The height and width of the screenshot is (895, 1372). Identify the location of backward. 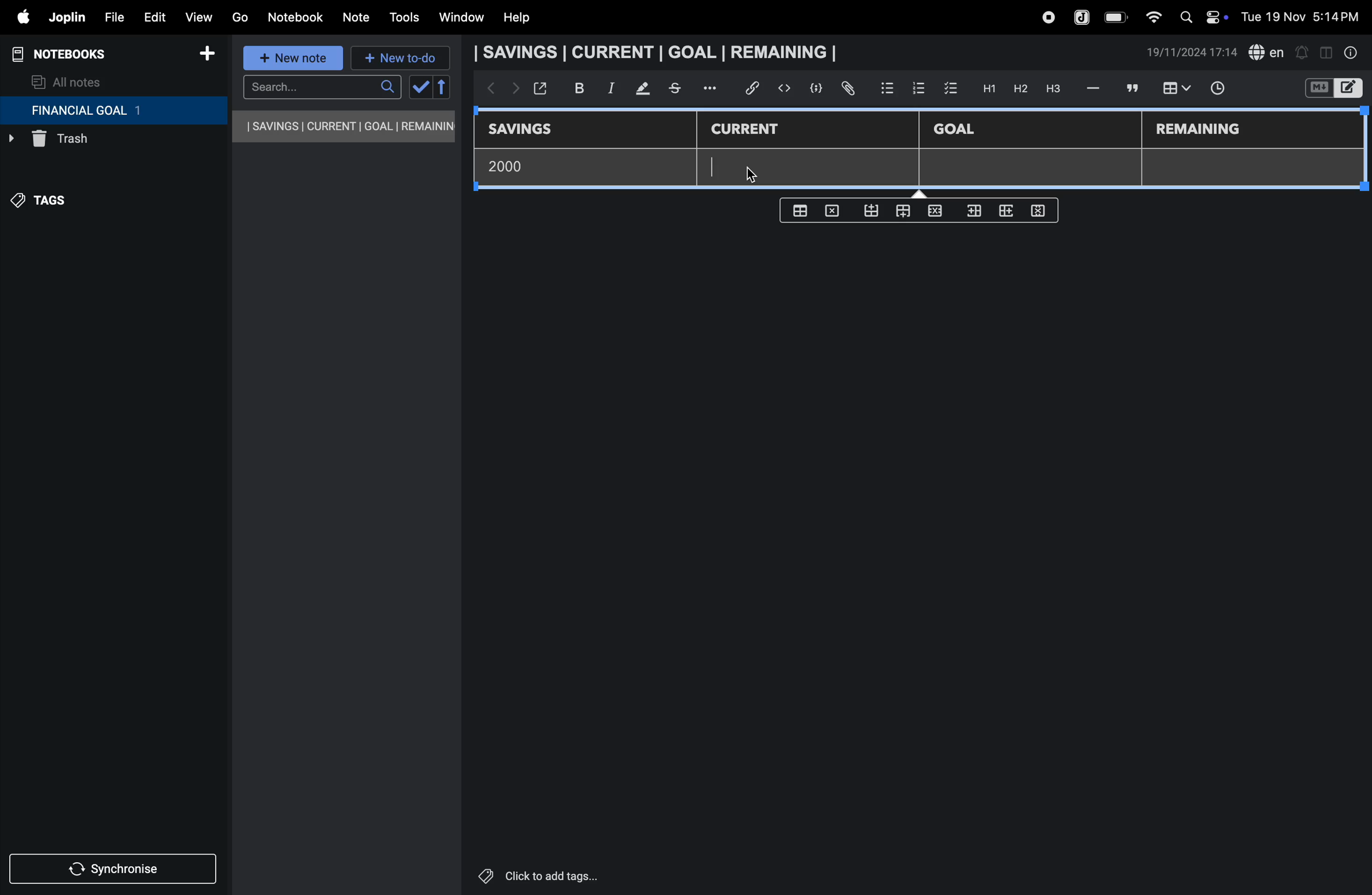
(487, 89).